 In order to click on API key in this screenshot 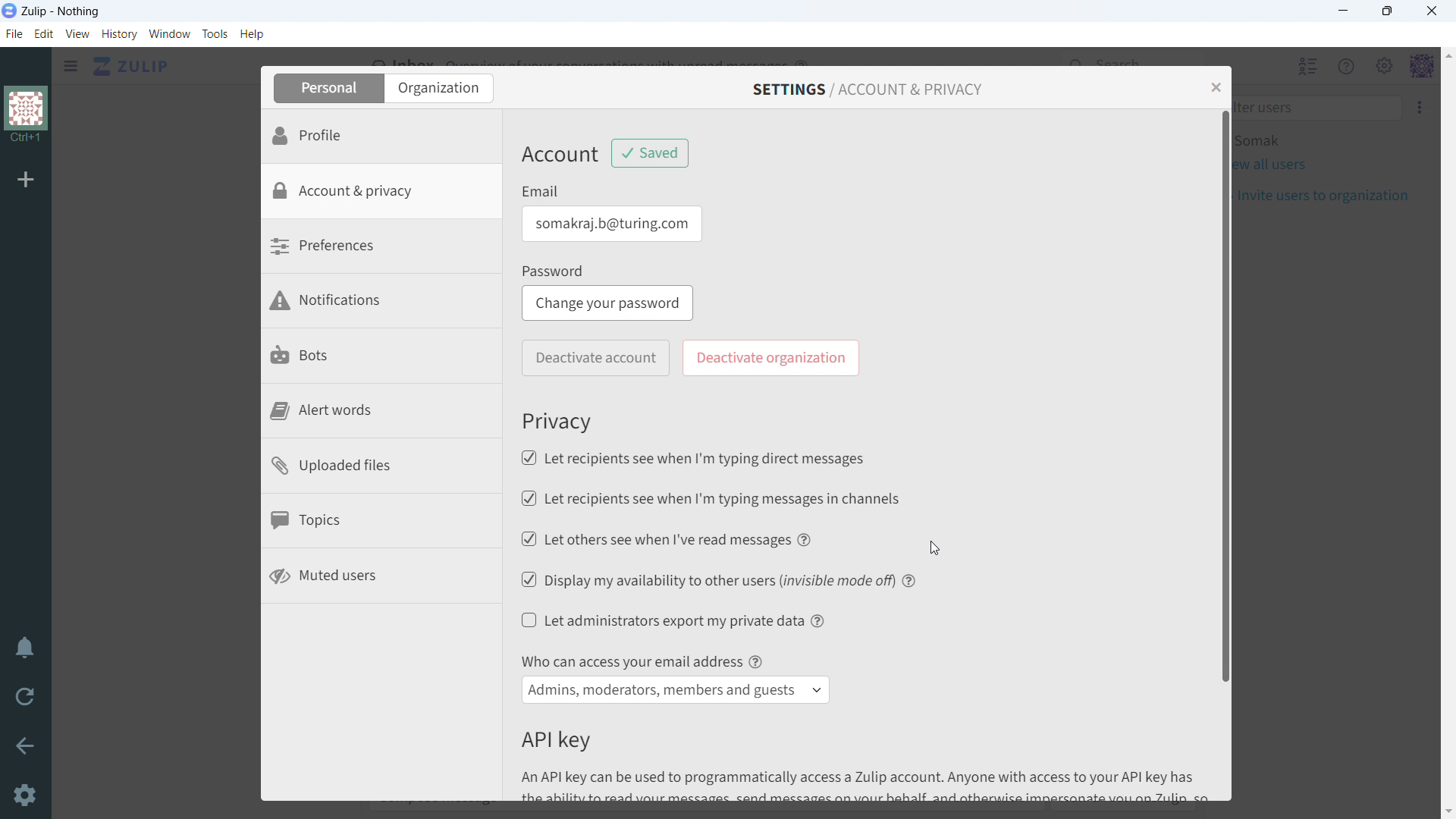, I will do `click(563, 740)`.